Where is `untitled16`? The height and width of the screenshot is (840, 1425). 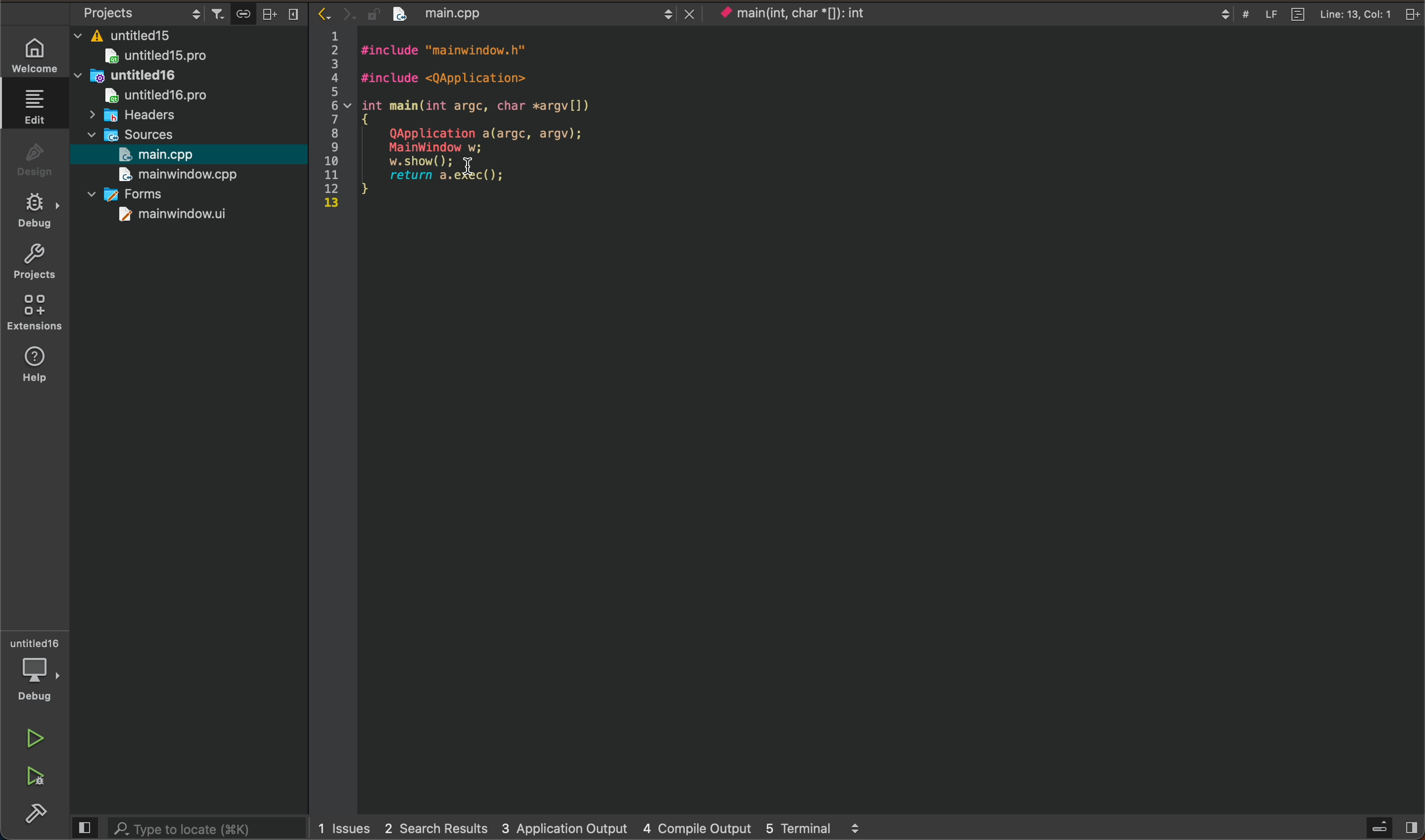 untitled16 is located at coordinates (155, 78).